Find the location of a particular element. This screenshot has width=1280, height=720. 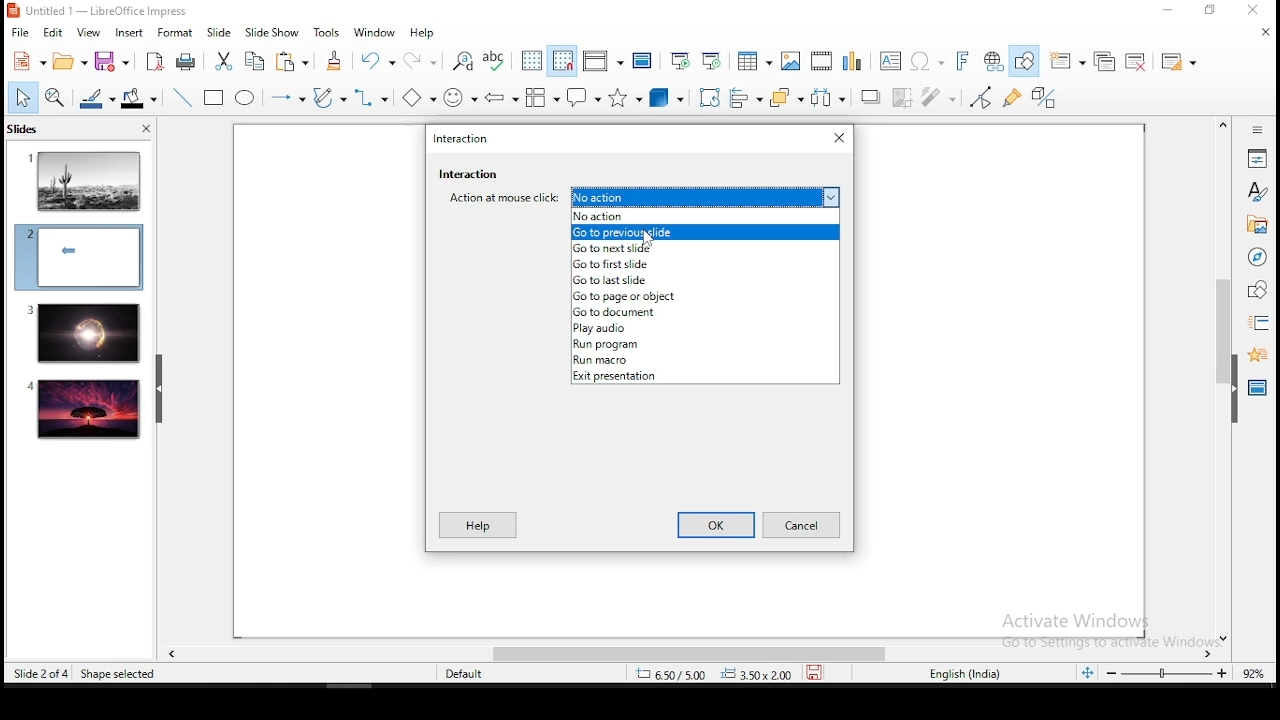

Activate Window}
- ry is located at coordinates (1089, 623).